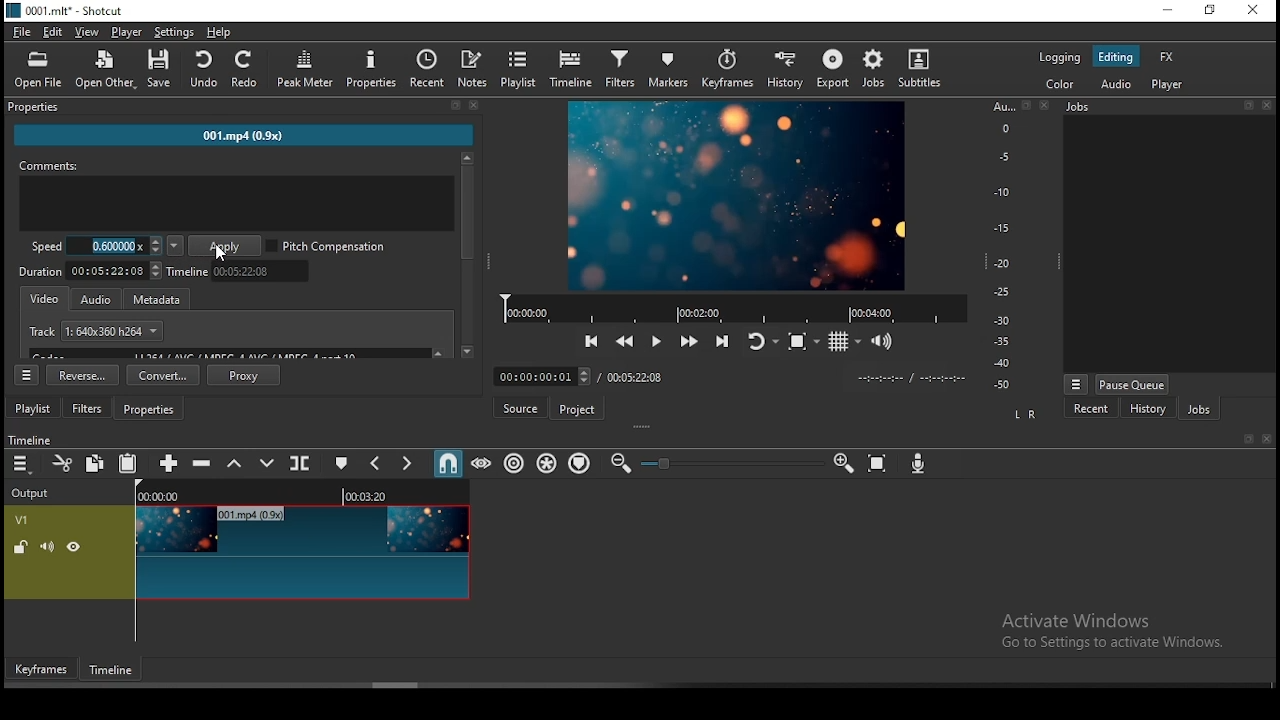 The image size is (1280, 720). I want to click on open other, so click(106, 72).